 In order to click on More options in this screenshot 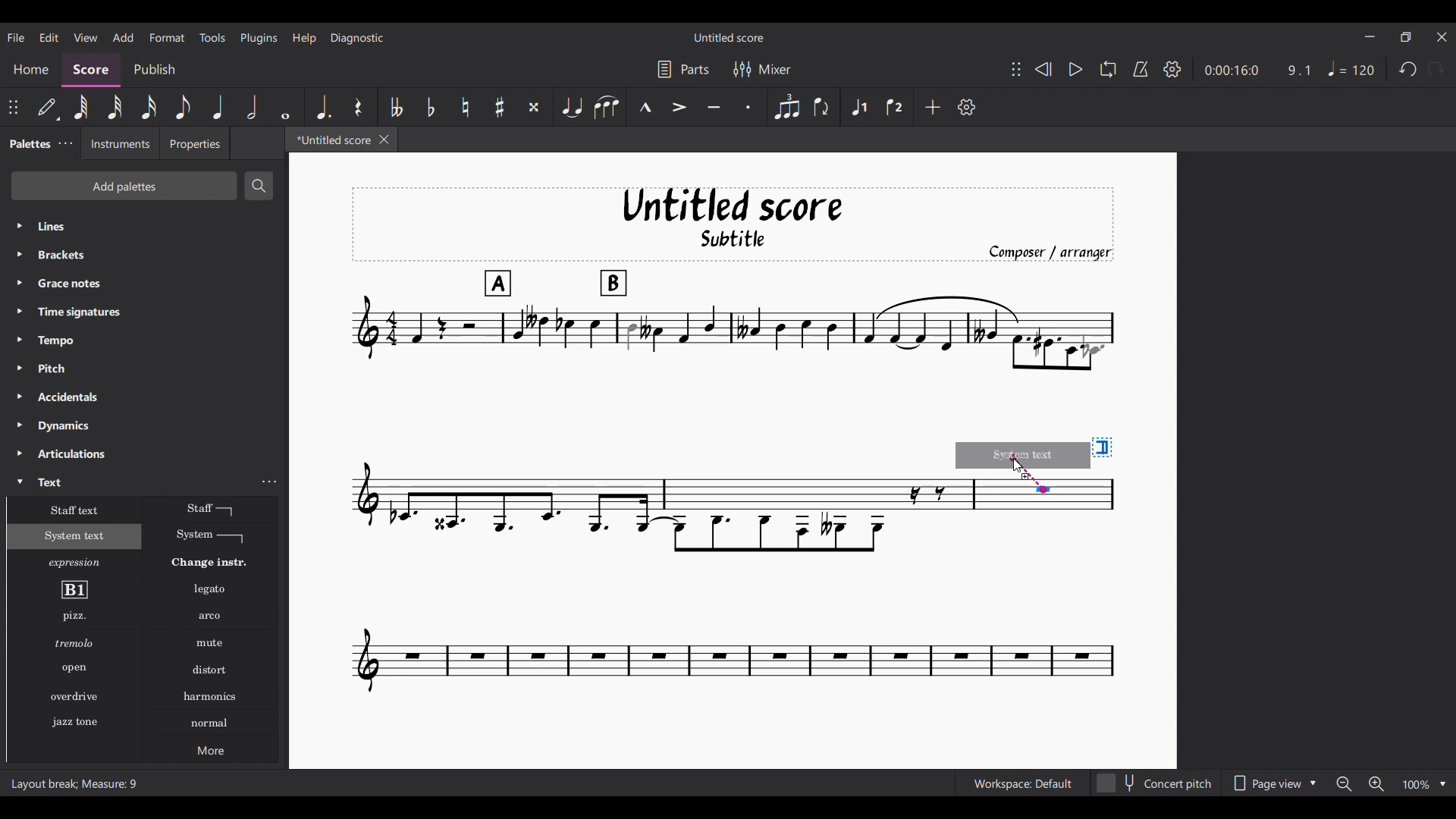, I will do `click(210, 749)`.